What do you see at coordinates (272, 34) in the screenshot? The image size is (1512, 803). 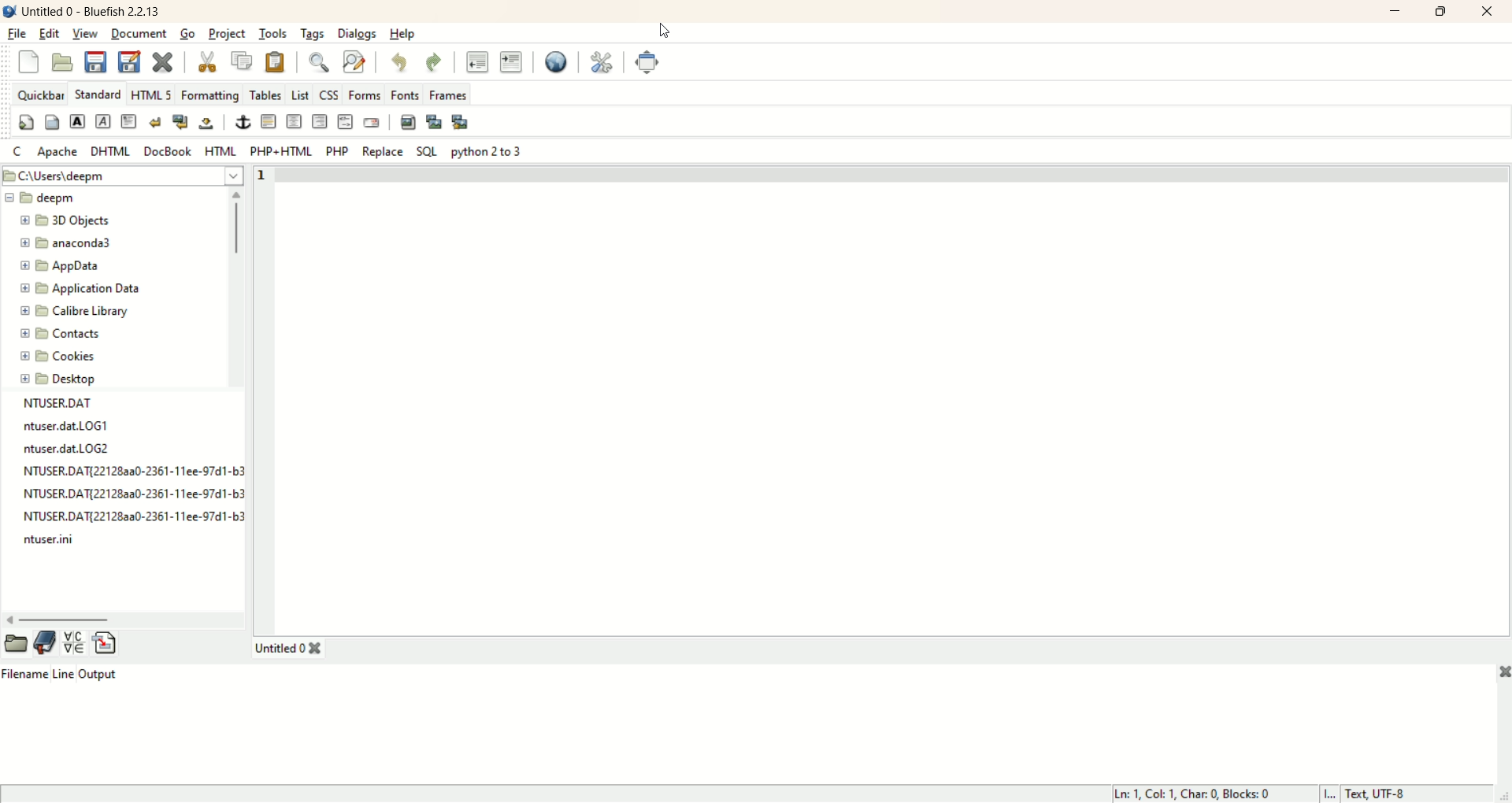 I see `tools` at bounding box center [272, 34].